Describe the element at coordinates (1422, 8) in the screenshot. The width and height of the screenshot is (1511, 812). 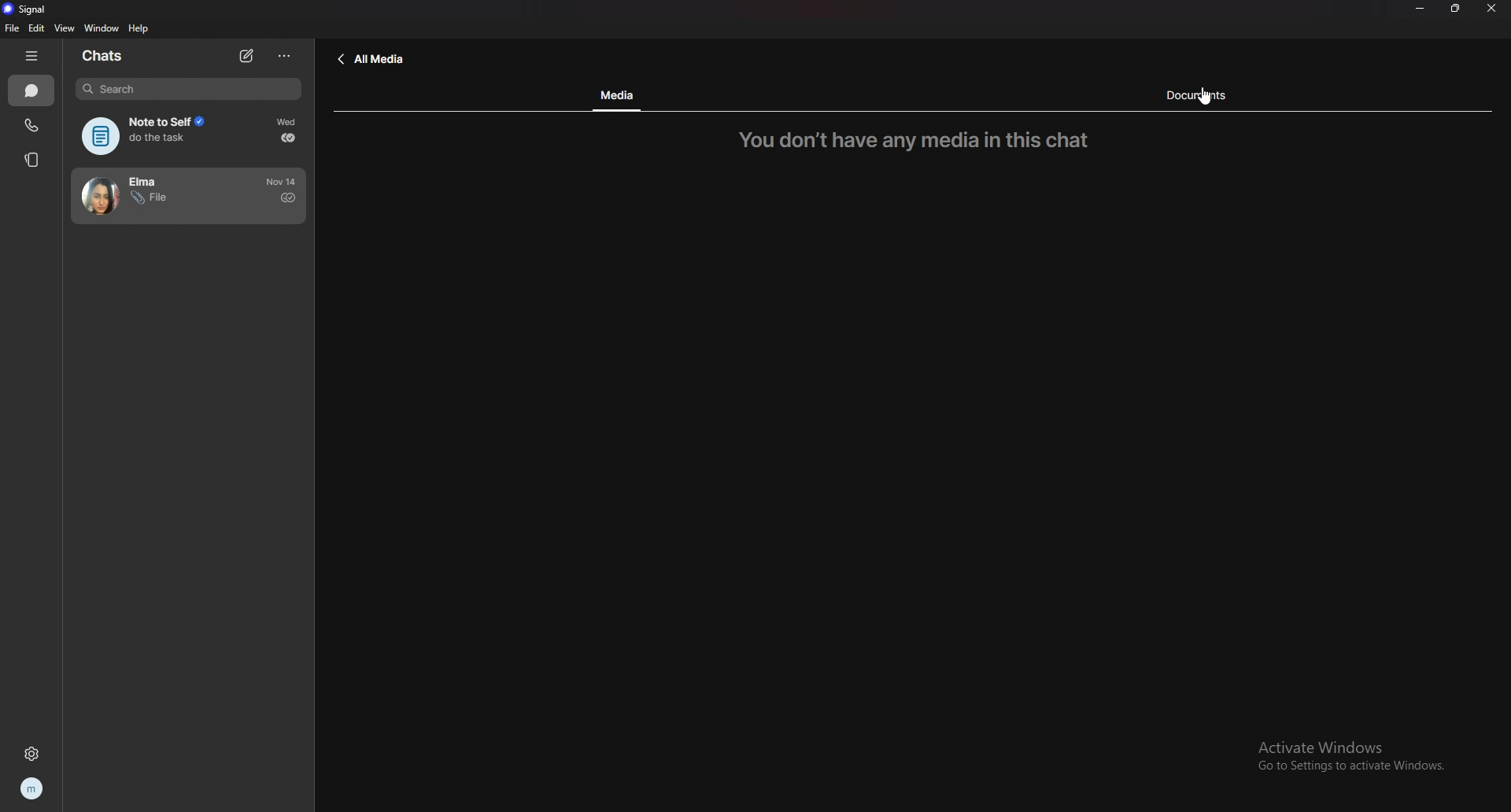
I see `minimize` at that location.